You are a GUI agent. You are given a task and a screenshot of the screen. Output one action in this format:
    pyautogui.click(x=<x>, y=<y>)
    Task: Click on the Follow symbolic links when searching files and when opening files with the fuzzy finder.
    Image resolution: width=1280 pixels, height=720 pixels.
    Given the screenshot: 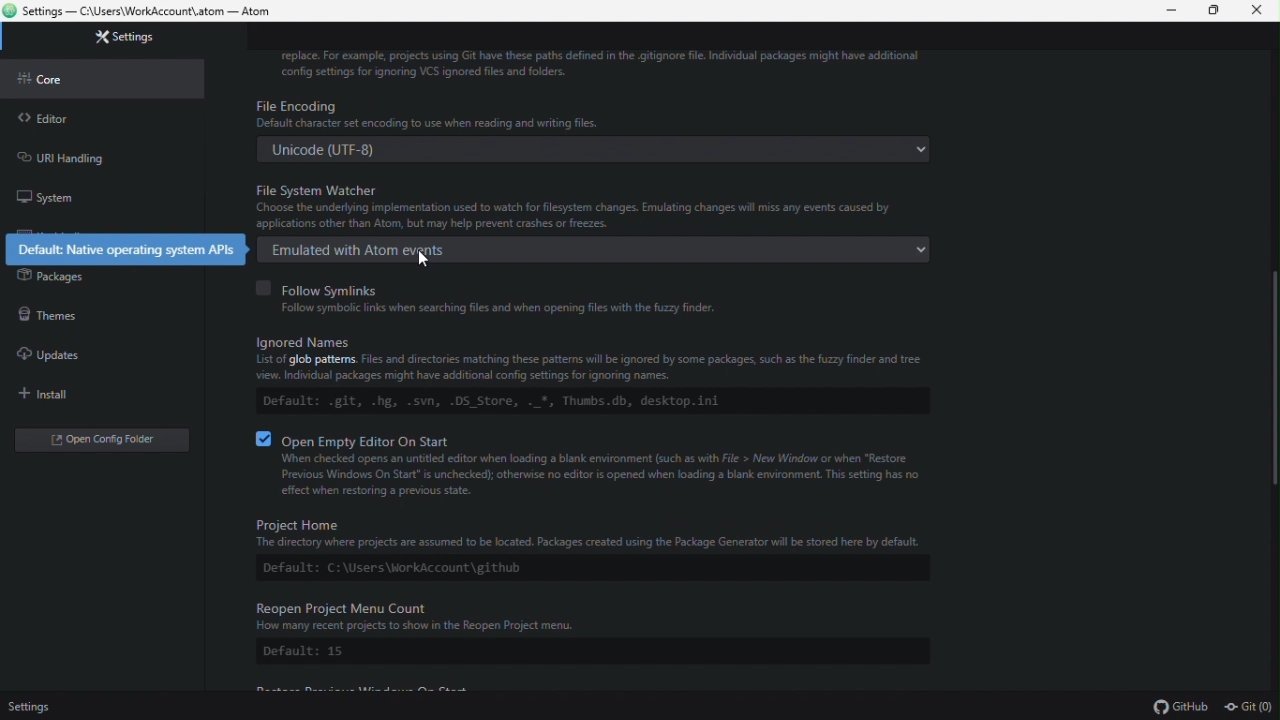 What is the action you would take?
    pyautogui.click(x=502, y=308)
    